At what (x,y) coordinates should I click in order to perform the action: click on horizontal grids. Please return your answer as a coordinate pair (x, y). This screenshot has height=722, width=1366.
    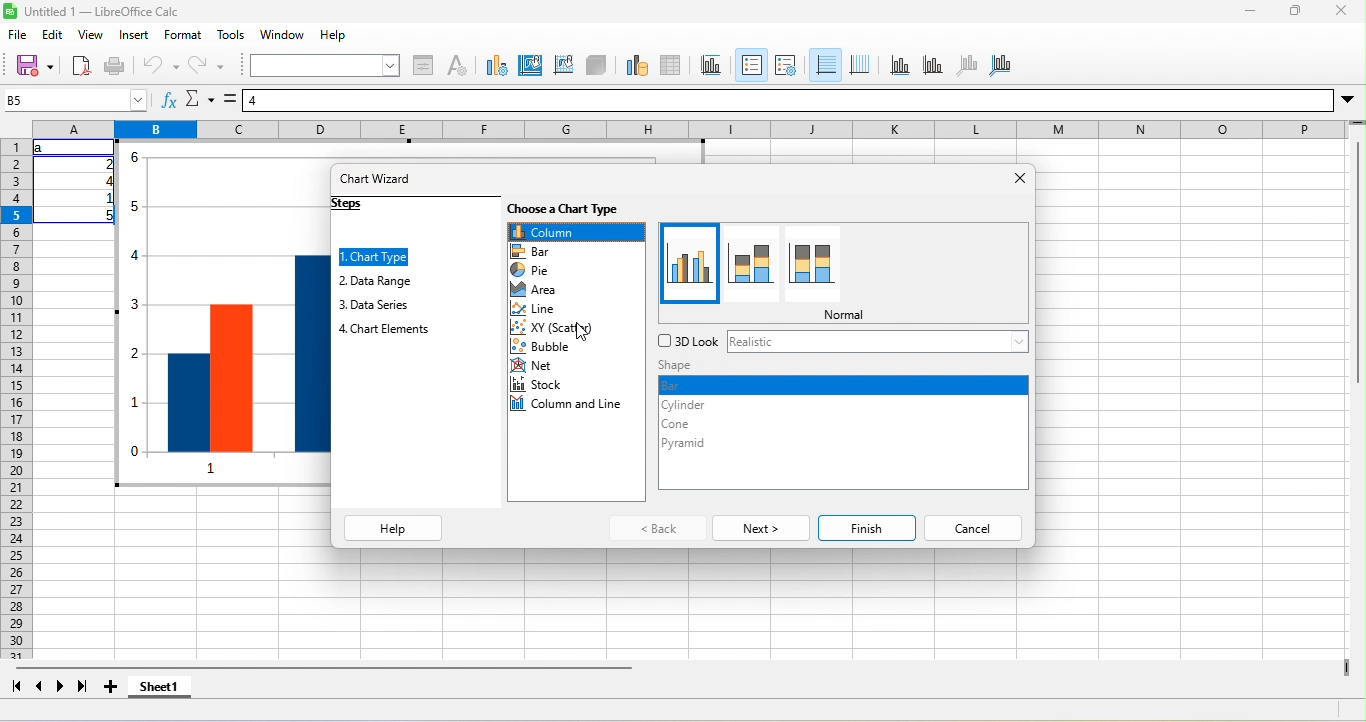
    Looking at the image, I should click on (826, 66).